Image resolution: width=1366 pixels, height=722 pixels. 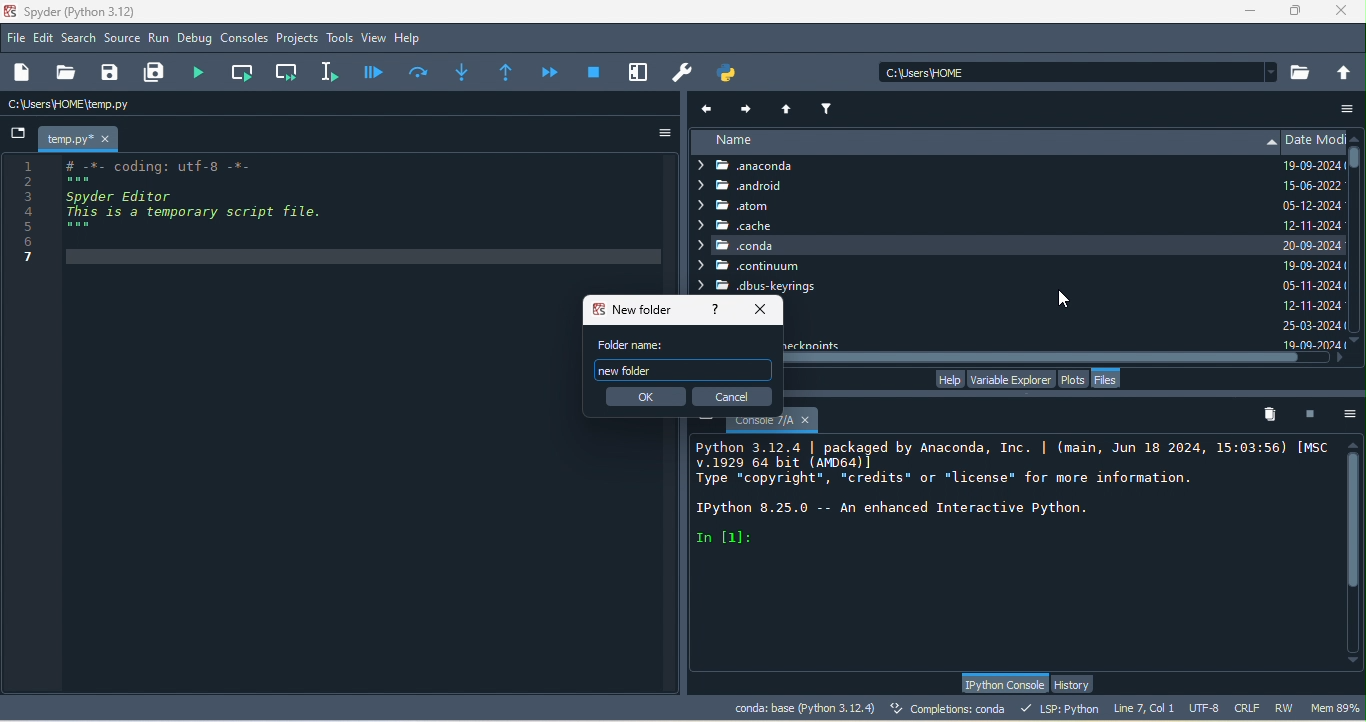 What do you see at coordinates (752, 266) in the screenshot?
I see `continuum` at bounding box center [752, 266].